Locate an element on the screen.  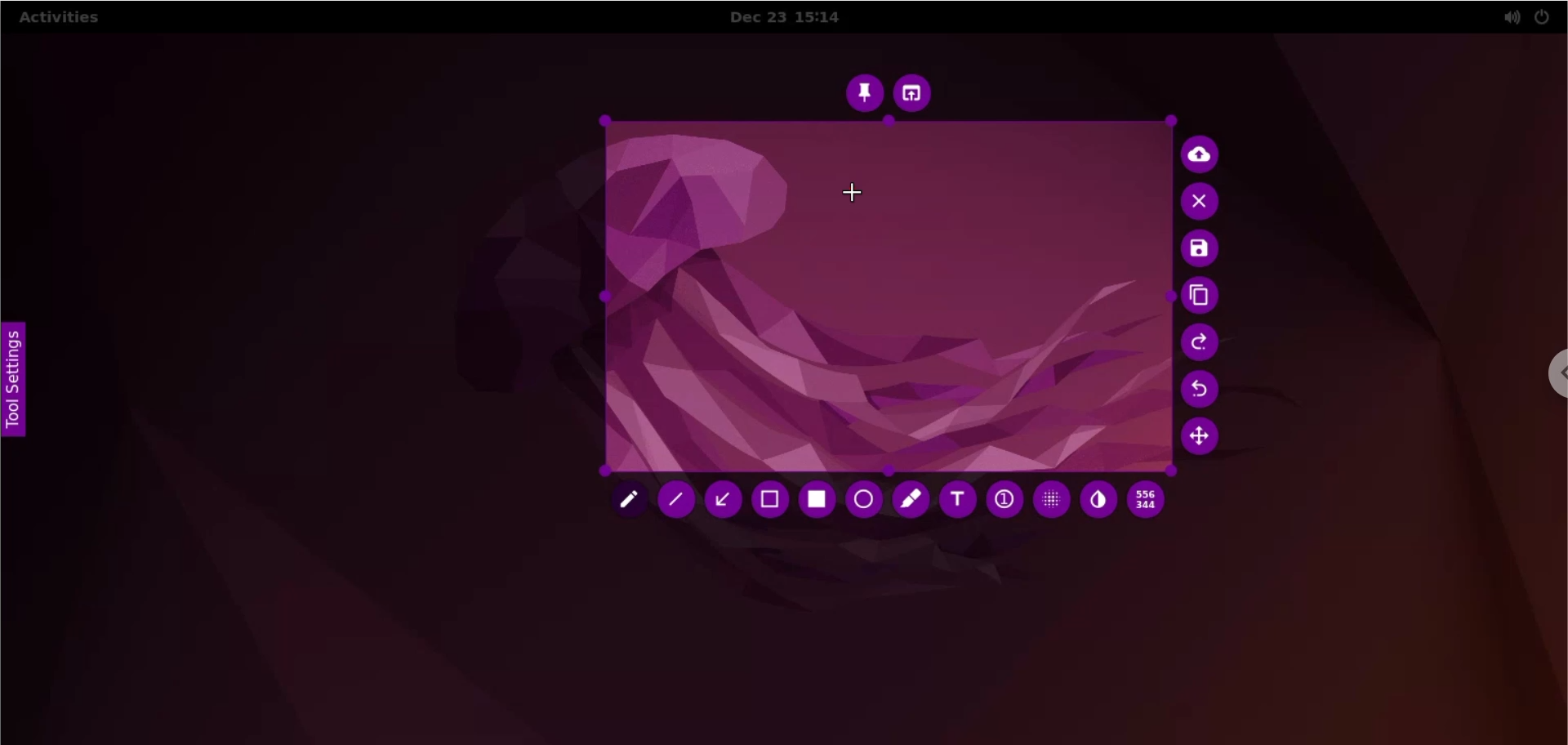
copy to clipboard is located at coordinates (1207, 297).